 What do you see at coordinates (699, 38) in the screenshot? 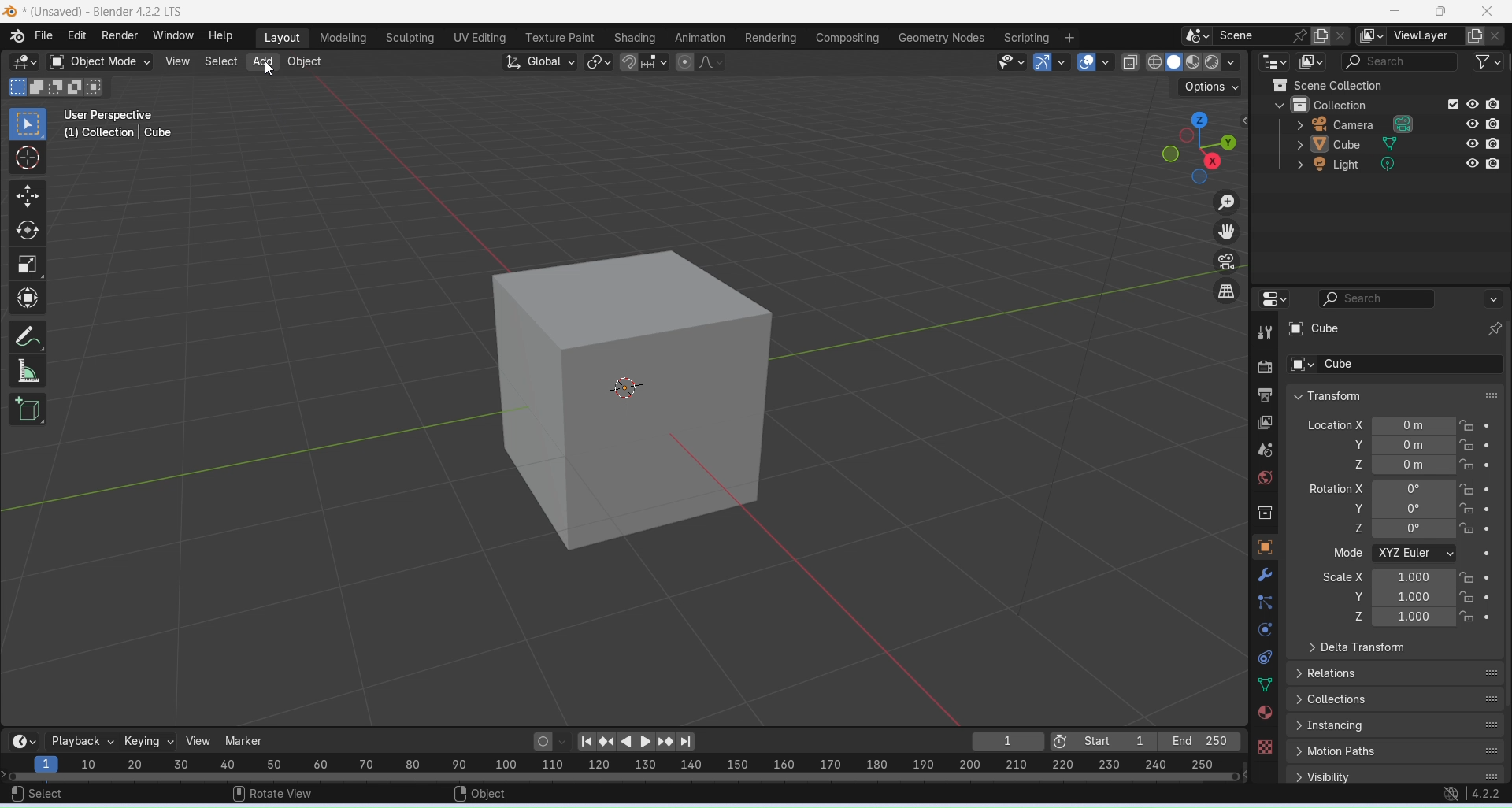
I see `Animation` at bounding box center [699, 38].